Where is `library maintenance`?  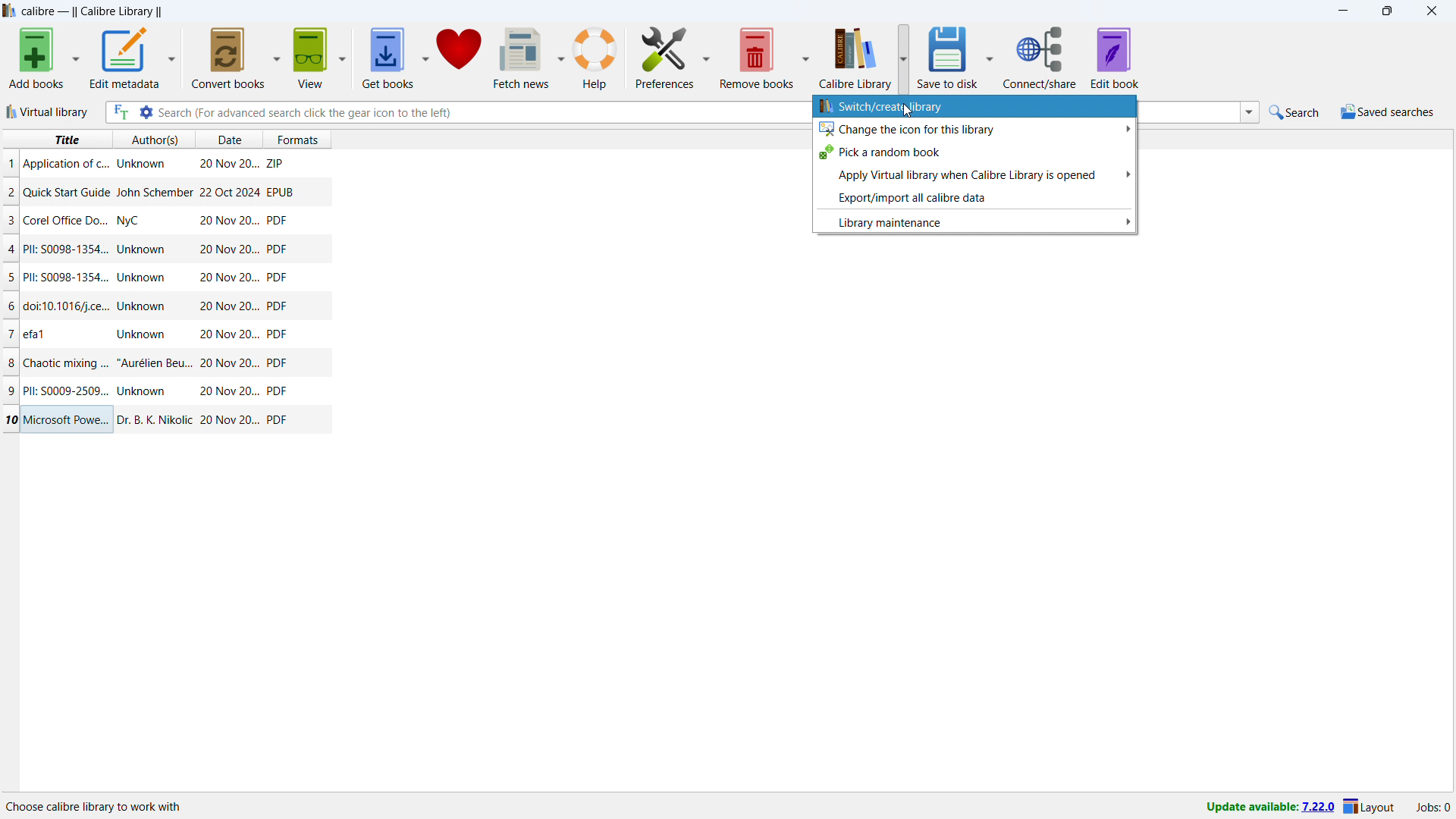 library maintenance is located at coordinates (974, 224).